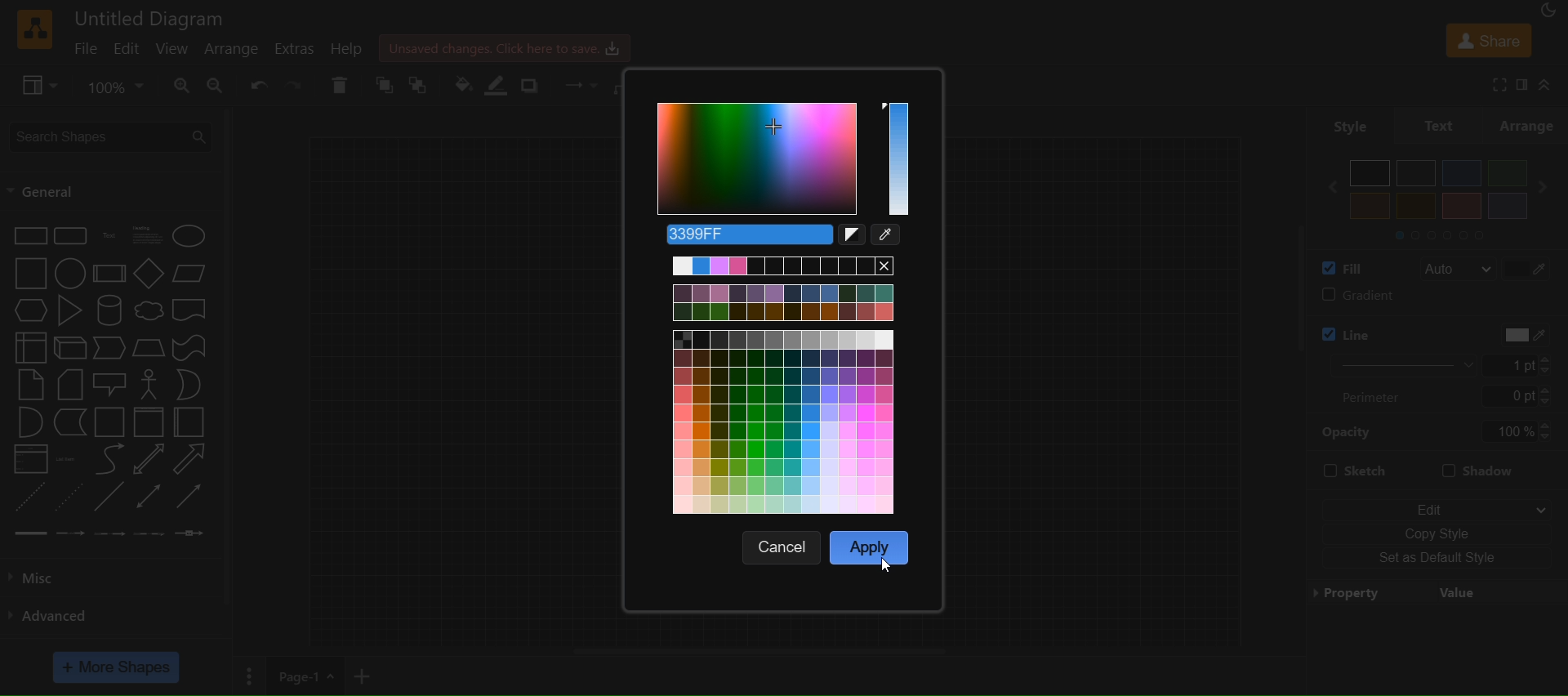 The height and width of the screenshot is (696, 1568). Describe the element at coordinates (870, 546) in the screenshot. I see `apply` at that location.